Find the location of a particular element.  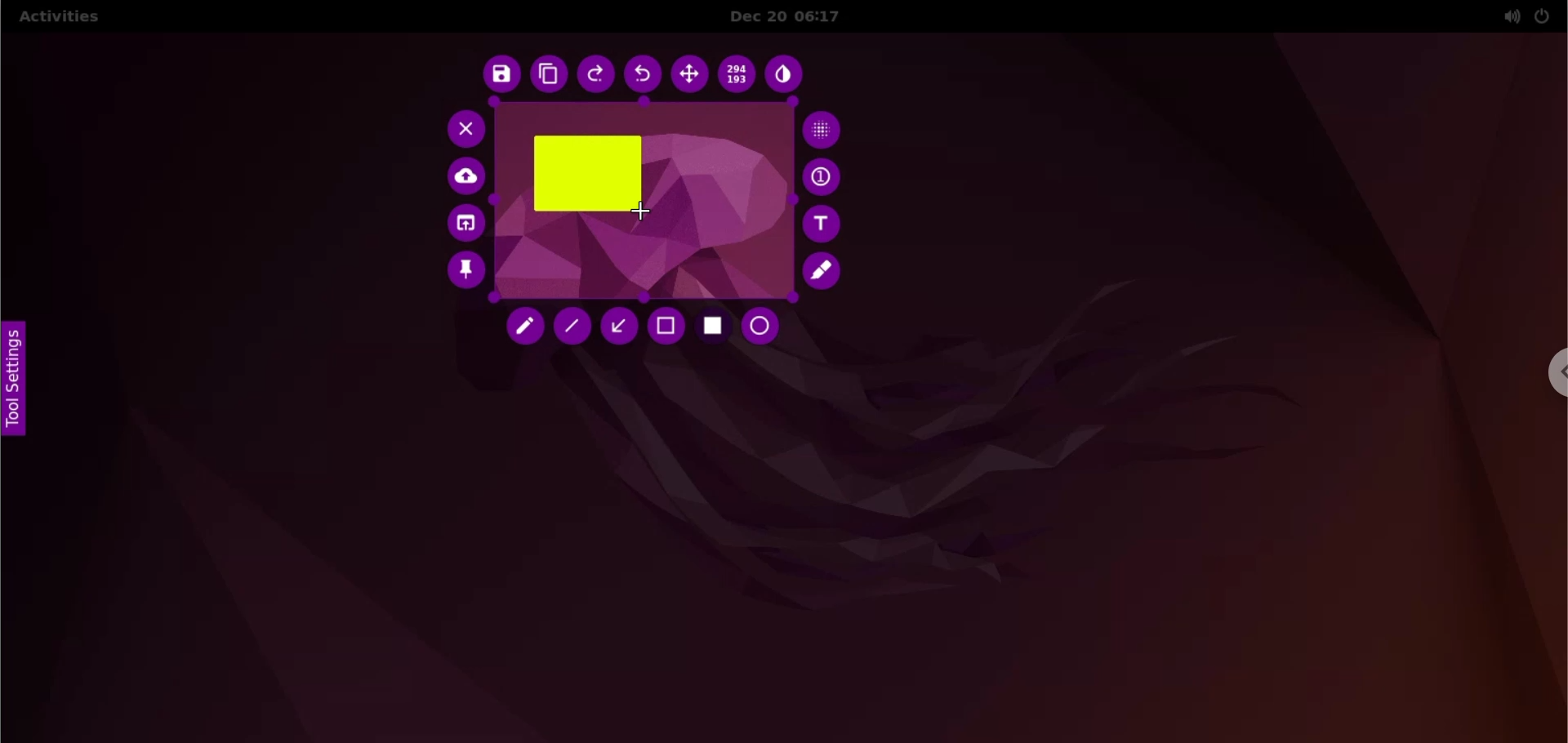

move selection is located at coordinates (689, 74).